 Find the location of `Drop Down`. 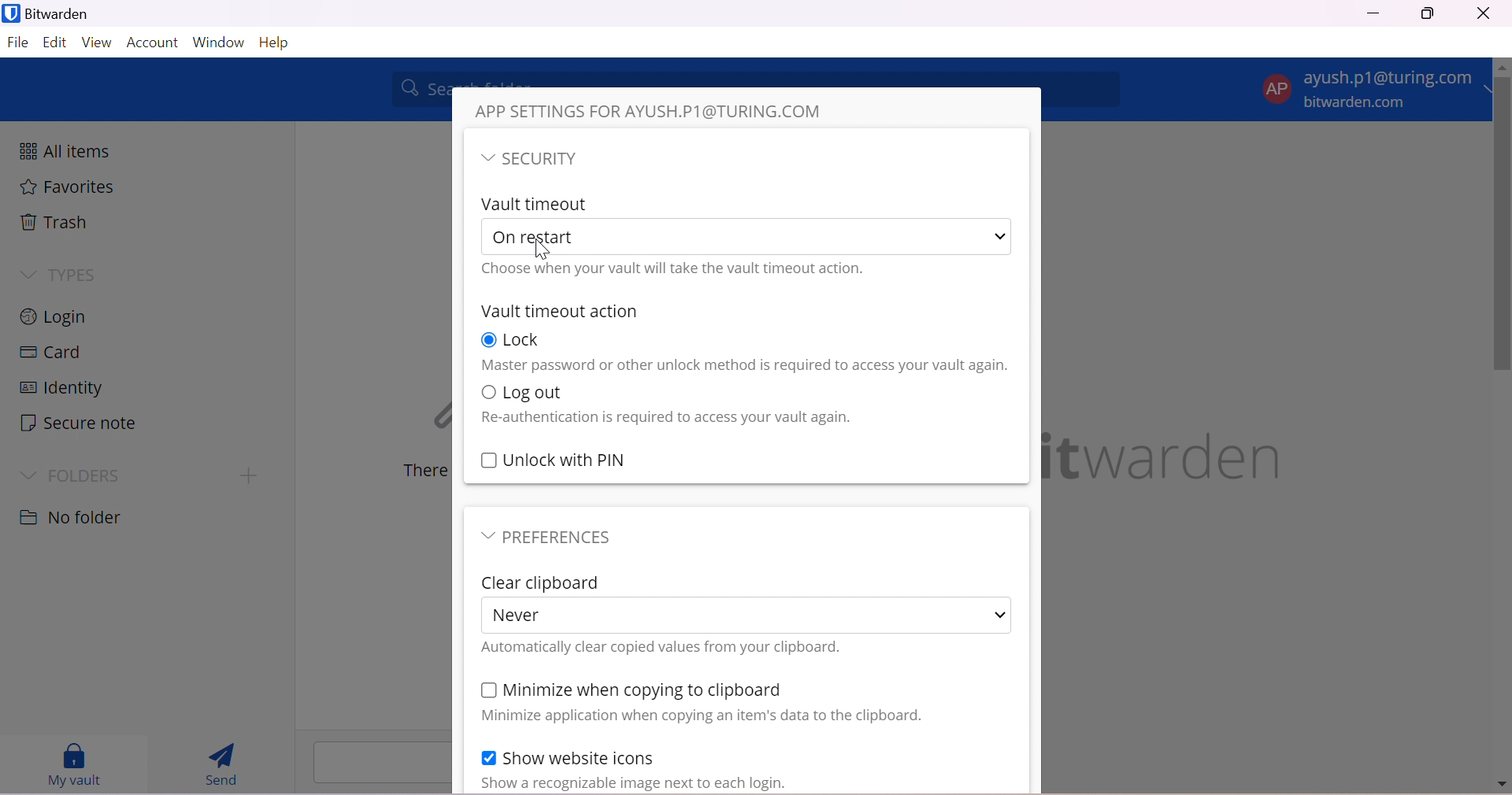

Drop Down is located at coordinates (484, 536).